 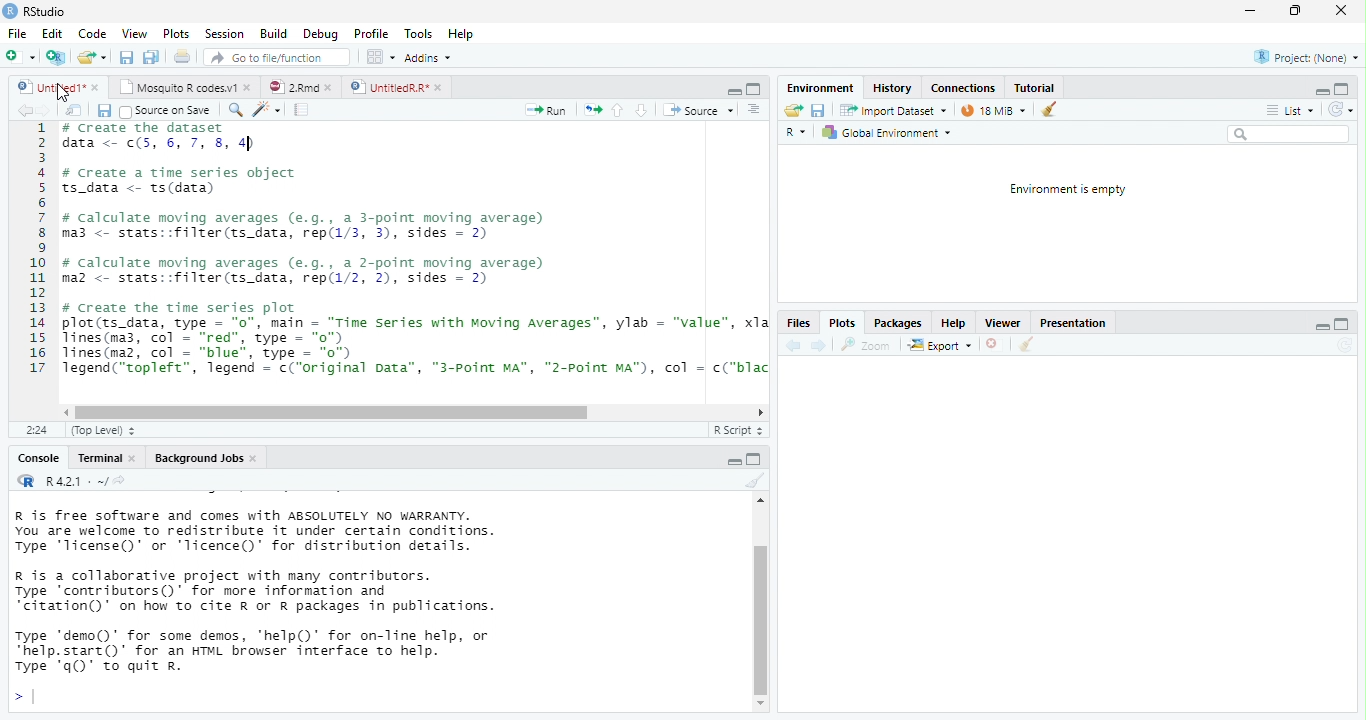 What do you see at coordinates (74, 480) in the screenshot?
I see `R 4.2.1 . ~/` at bounding box center [74, 480].